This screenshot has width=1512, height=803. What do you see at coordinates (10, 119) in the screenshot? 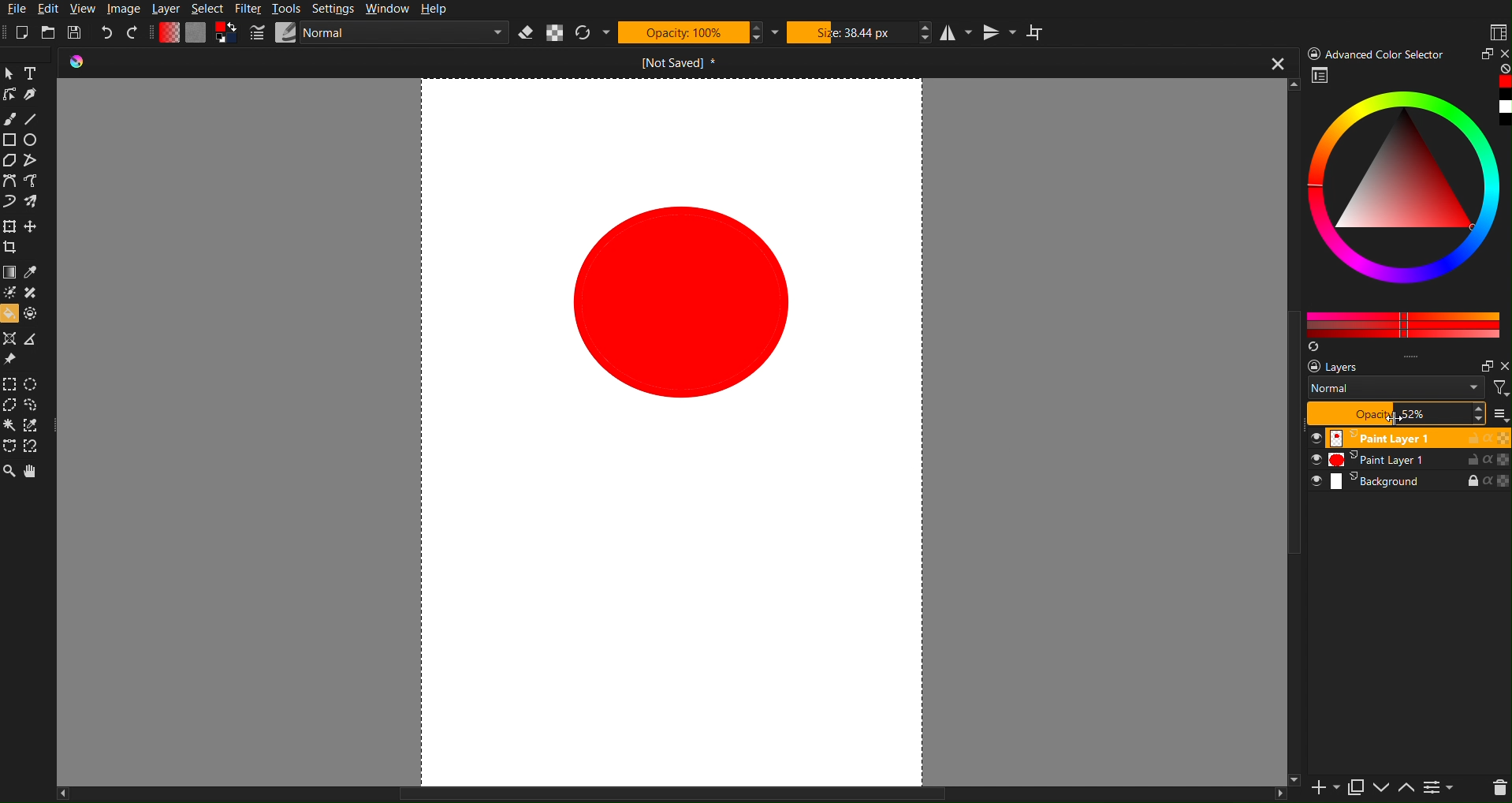
I see `Brush` at bounding box center [10, 119].